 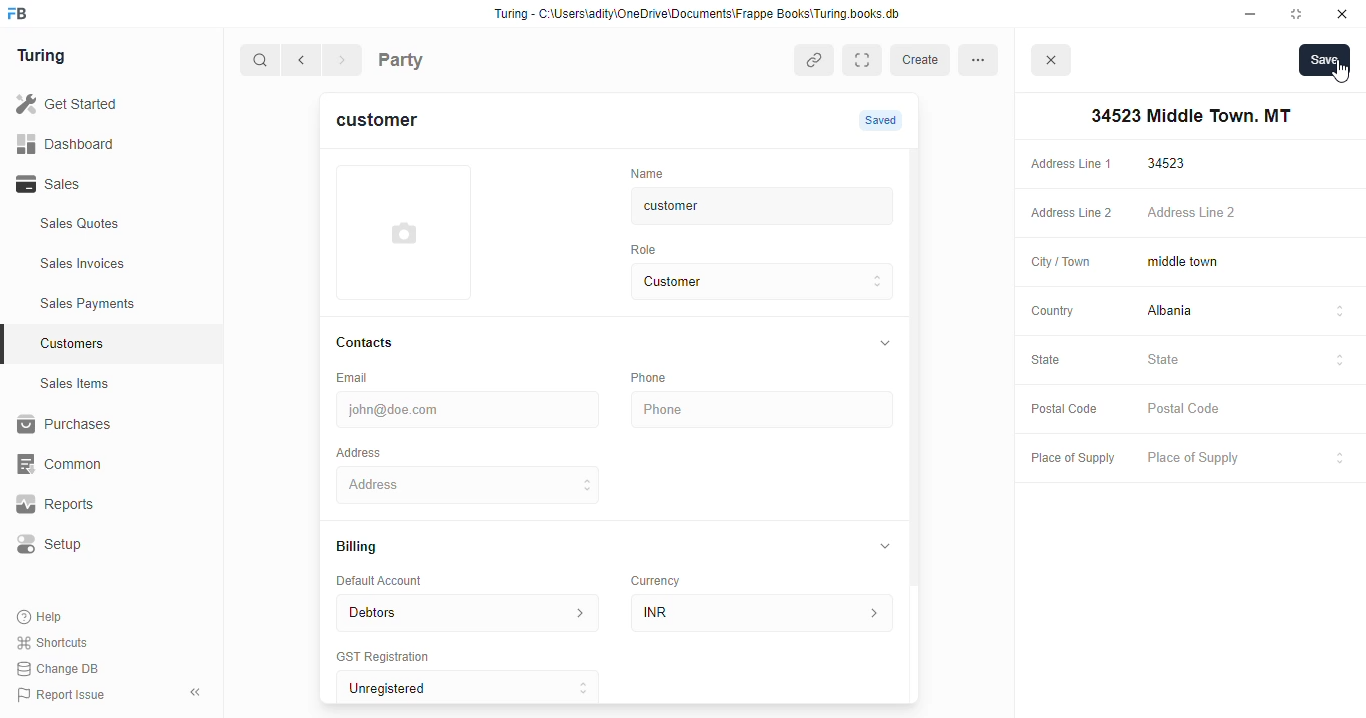 I want to click on Get Started, so click(x=93, y=105).